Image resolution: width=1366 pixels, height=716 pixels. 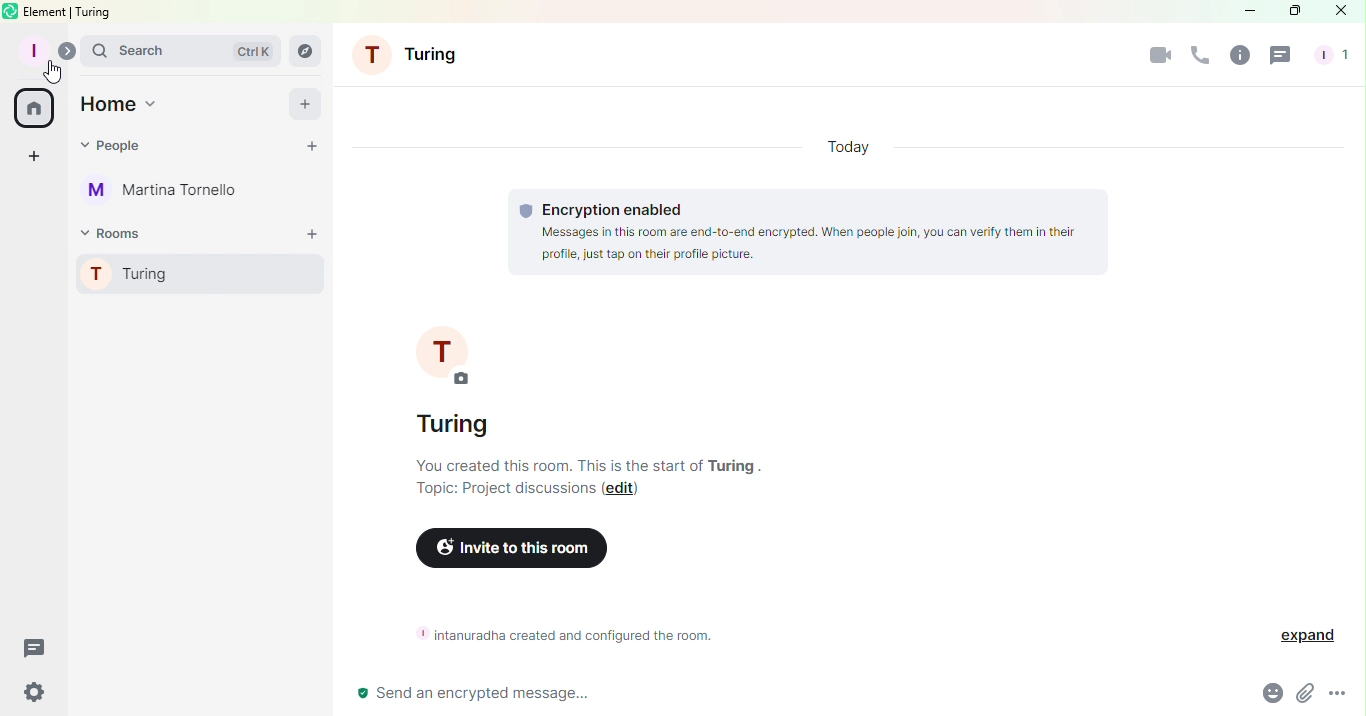 I want to click on Invite to this room, so click(x=509, y=548).